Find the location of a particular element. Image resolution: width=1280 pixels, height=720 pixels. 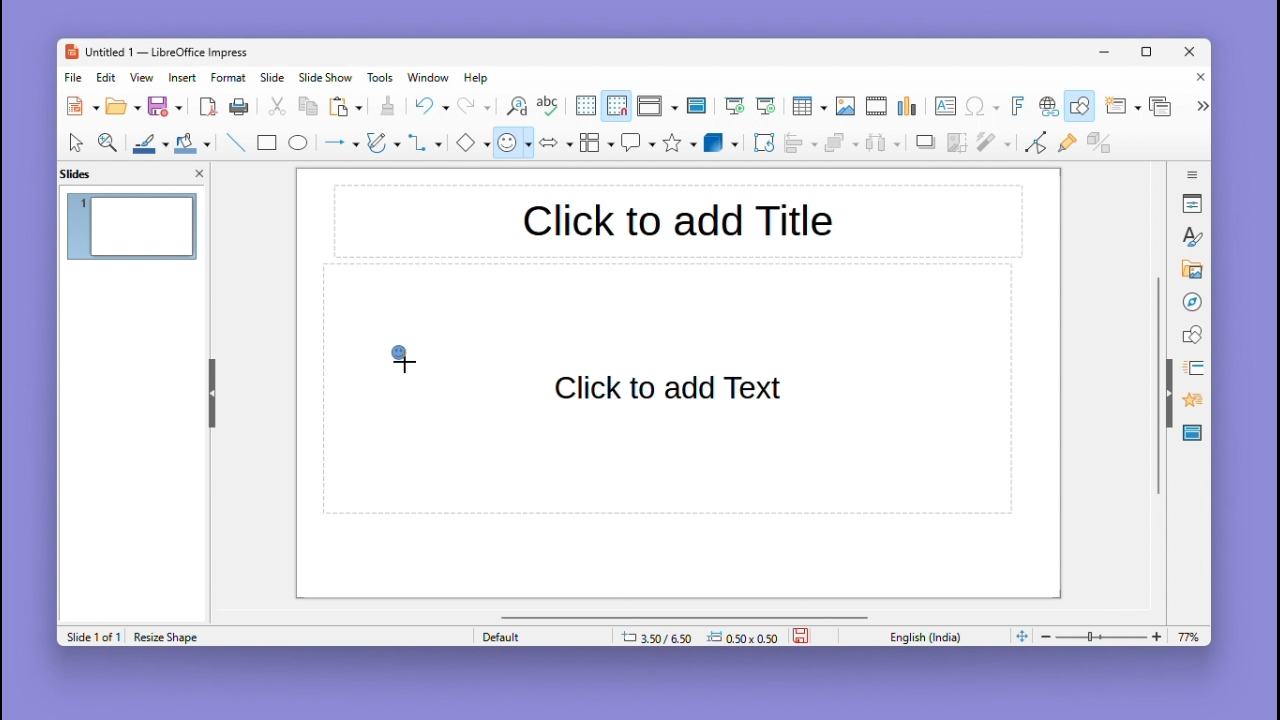

Properties is located at coordinates (1194, 203).